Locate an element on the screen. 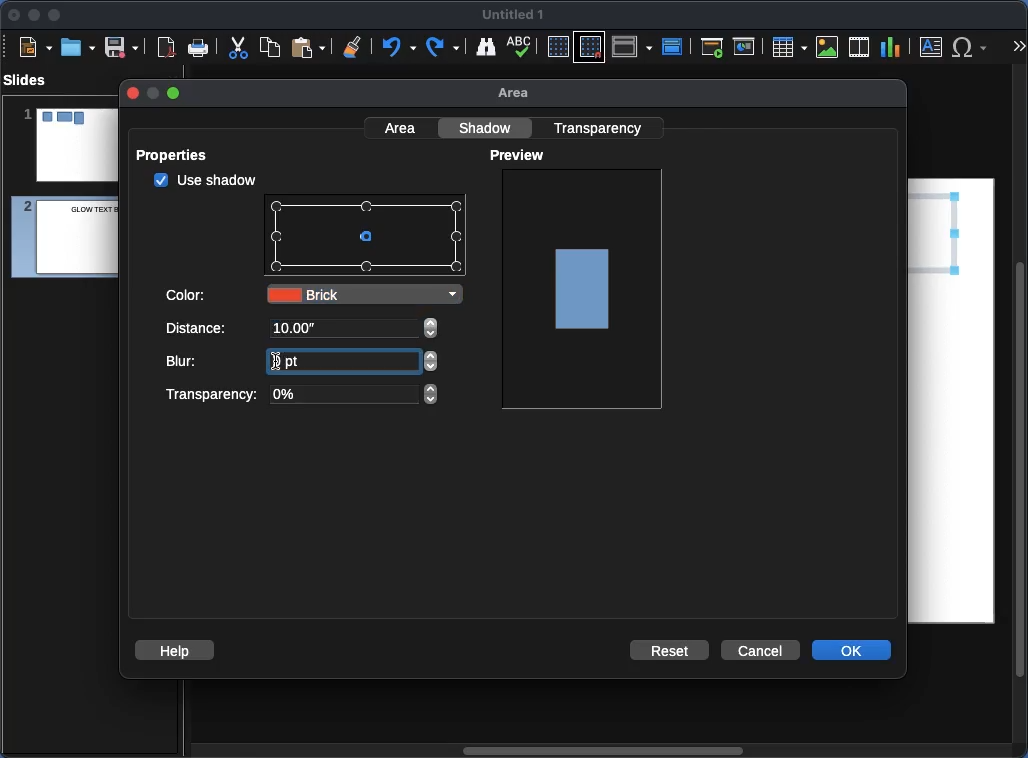  Audio or video is located at coordinates (860, 47).